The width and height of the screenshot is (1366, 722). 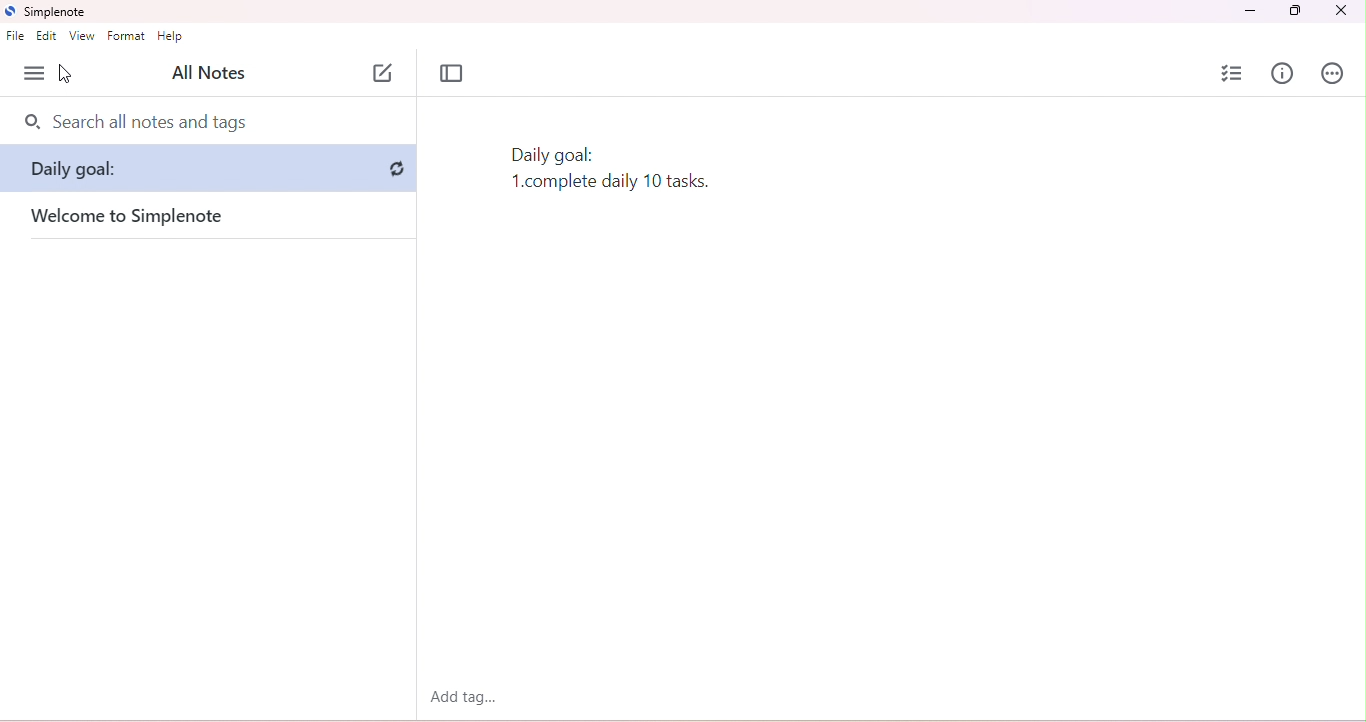 What do you see at coordinates (452, 74) in the screenshot?
I see `toggle focus mode` at bounding box center [452, 74].